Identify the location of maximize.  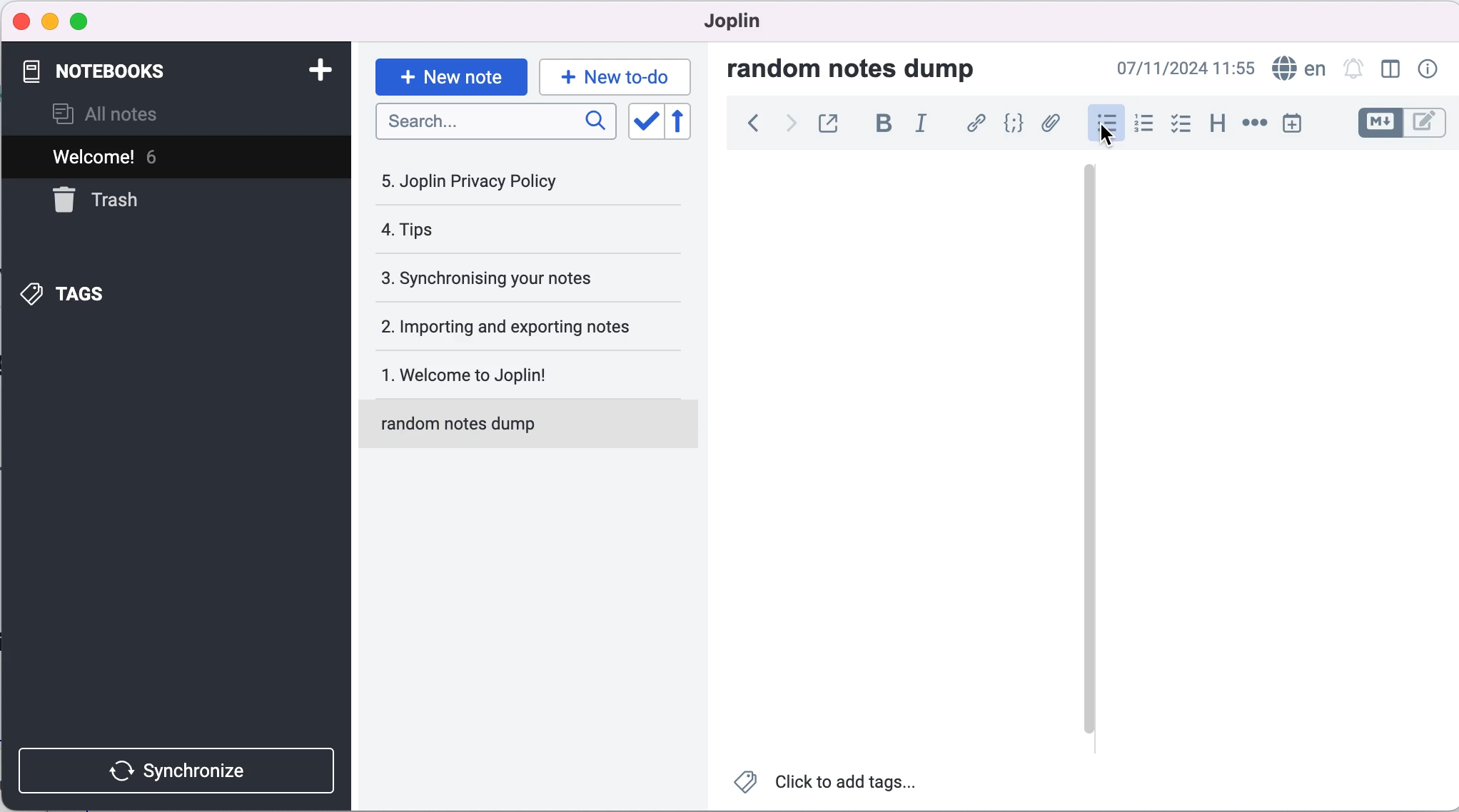
(79, 23).